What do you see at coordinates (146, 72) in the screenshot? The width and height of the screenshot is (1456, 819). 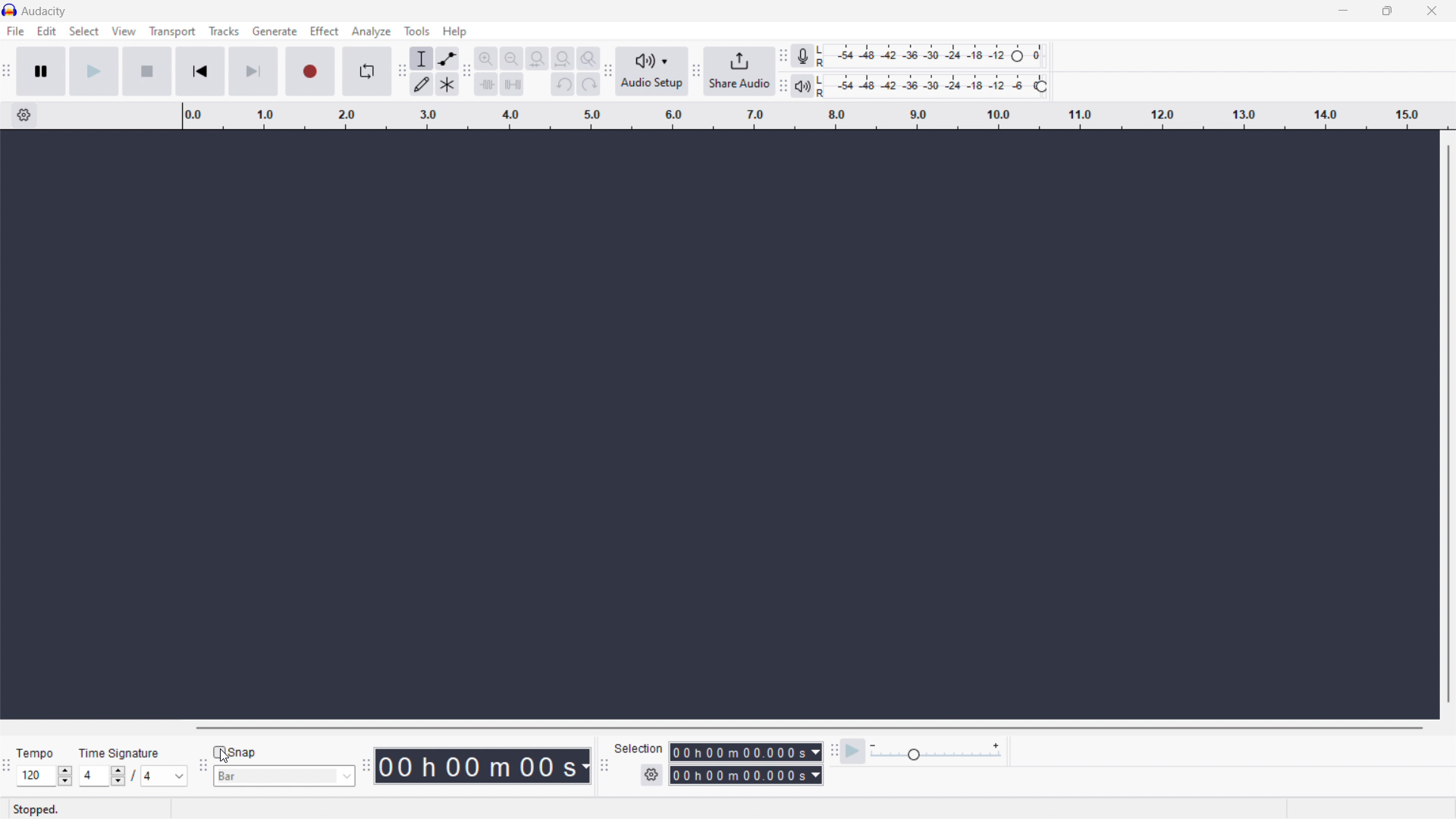 I see `stop` at bounding box center [146, 72].